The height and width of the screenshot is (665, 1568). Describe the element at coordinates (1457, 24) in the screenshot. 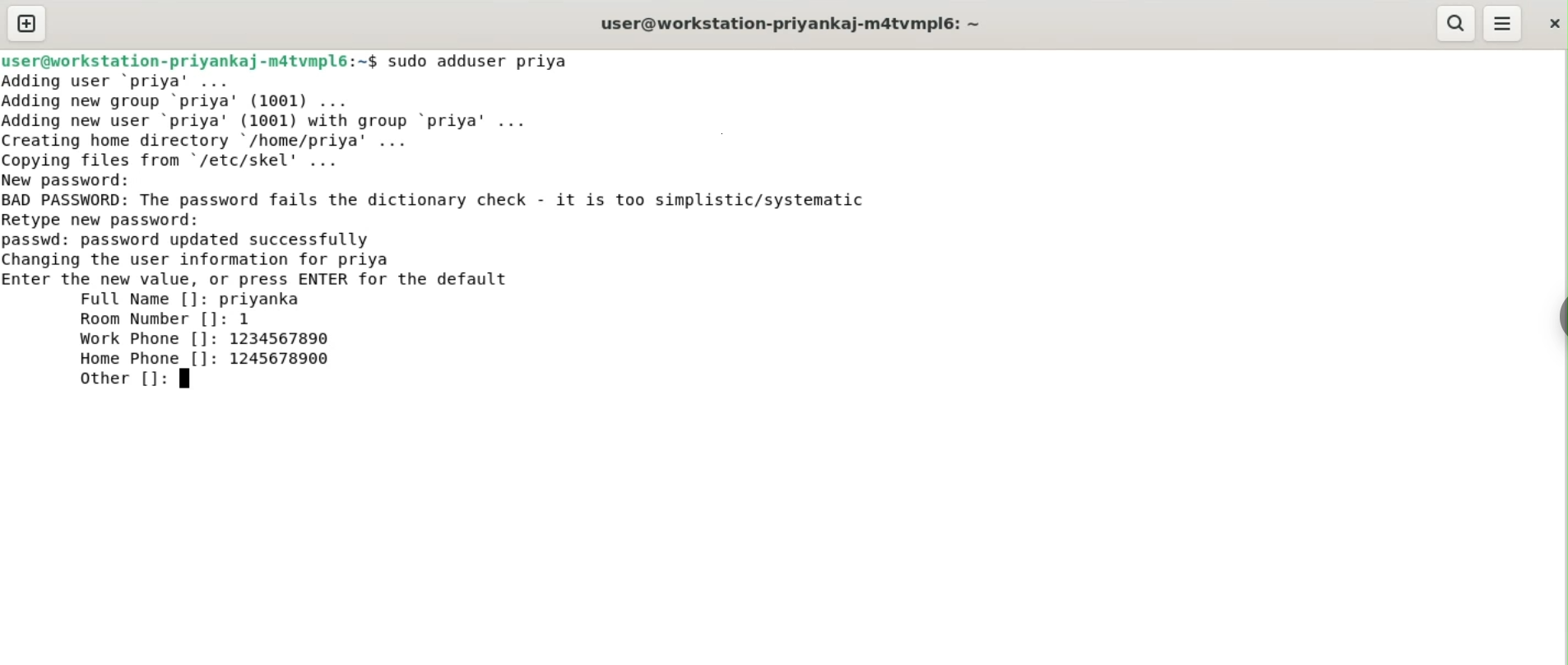

I see `search` at that location.